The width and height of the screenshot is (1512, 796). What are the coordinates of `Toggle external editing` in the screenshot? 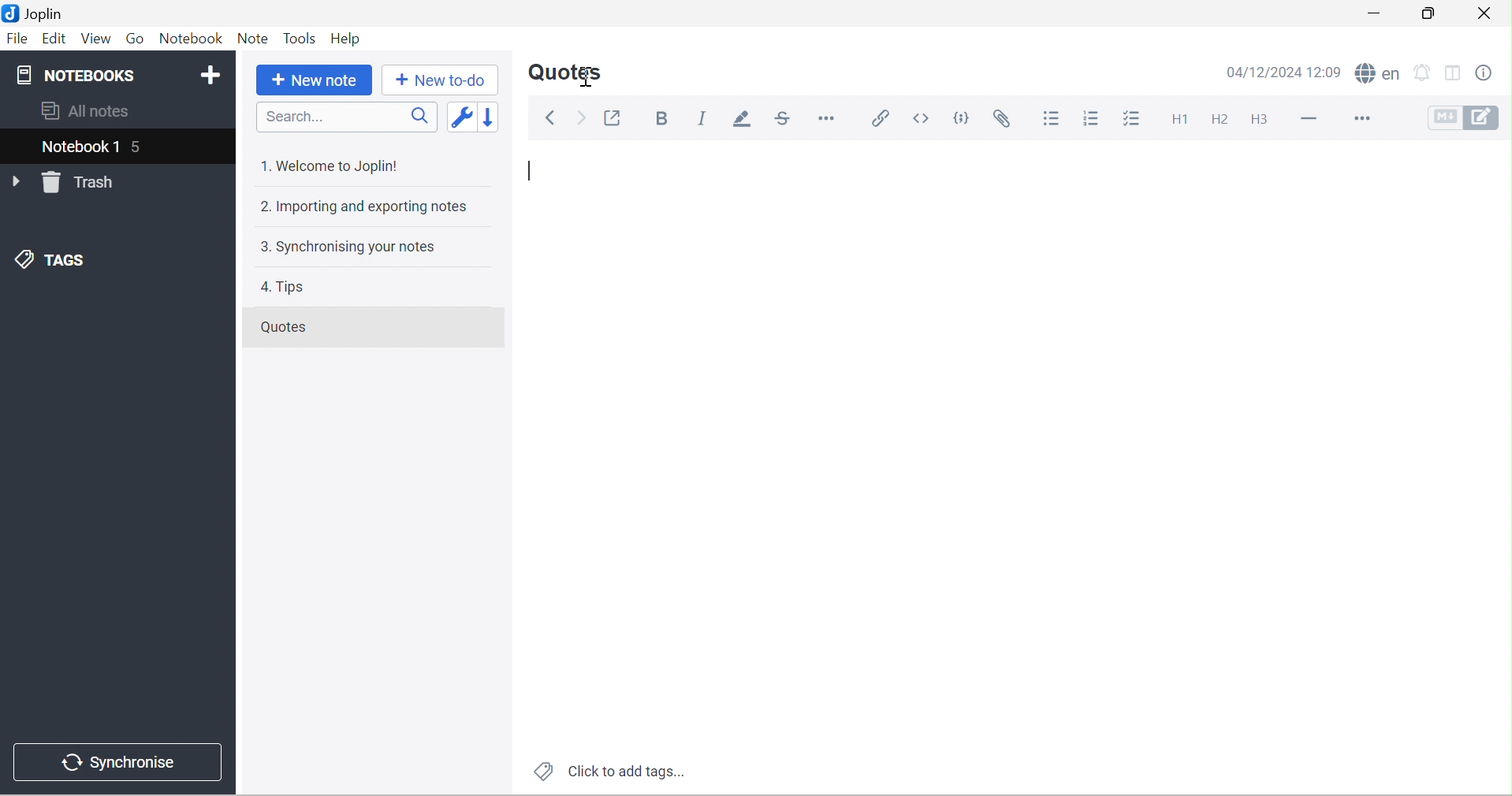 It's located at (614, 117).